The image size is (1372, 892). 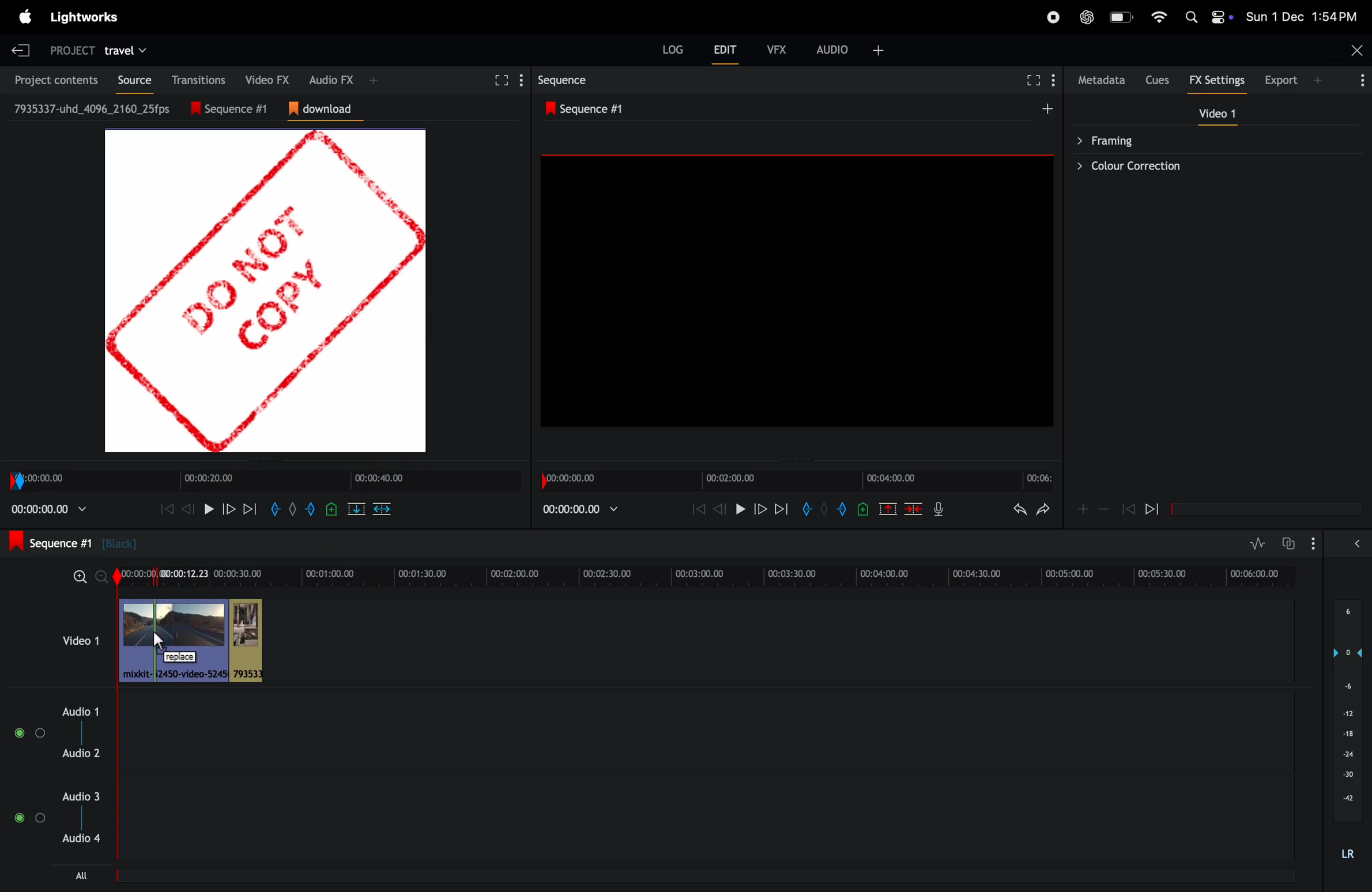 What do you see at coordinates (725, 49) in the screenshot?
I see `edit` at bounding box center [725, 49].